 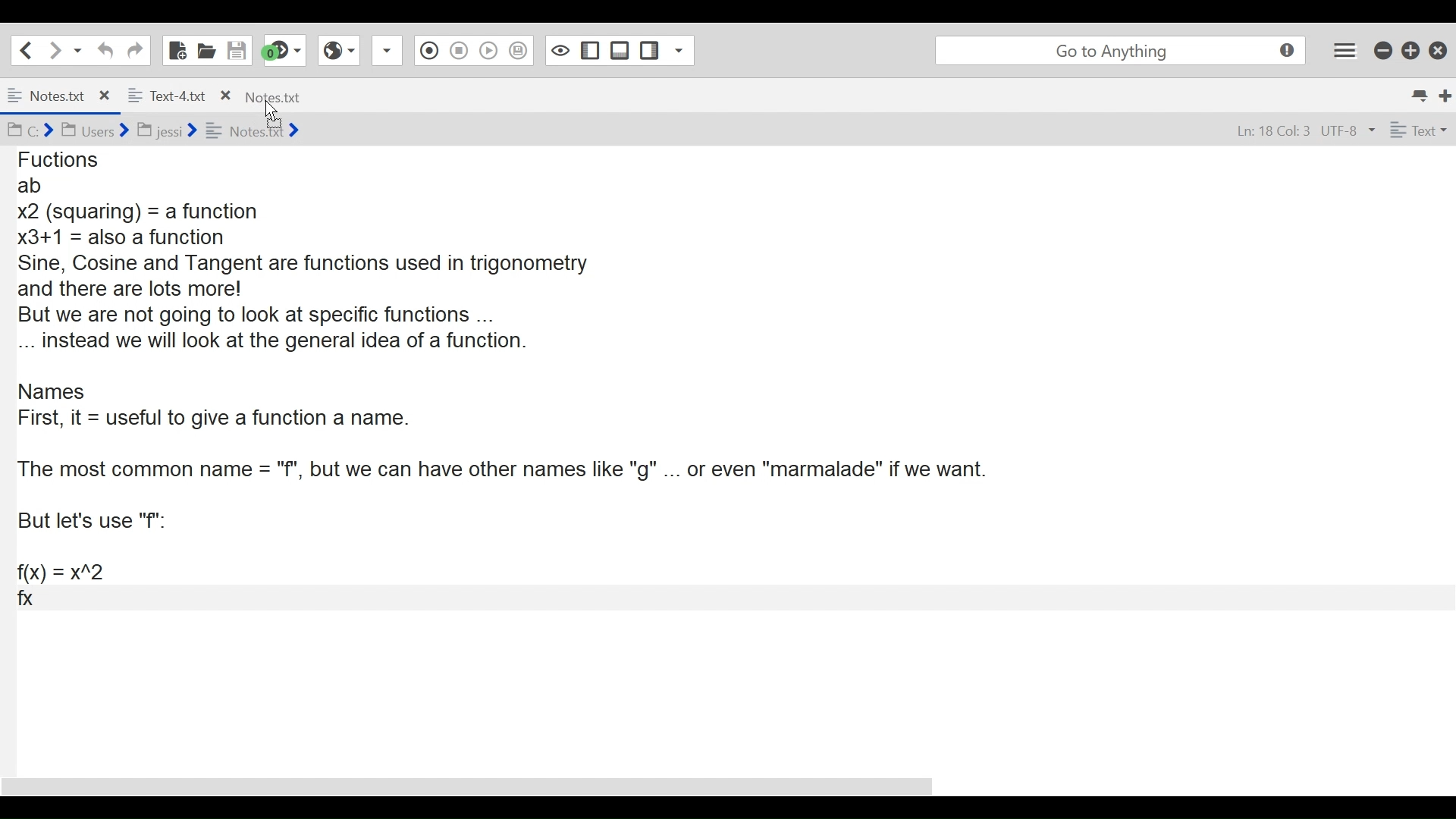 What do you see at coordinates (620, 50) in the screenshot?
I see `Show/hide Bottom Sidebar` at bounding box center [620, 50].